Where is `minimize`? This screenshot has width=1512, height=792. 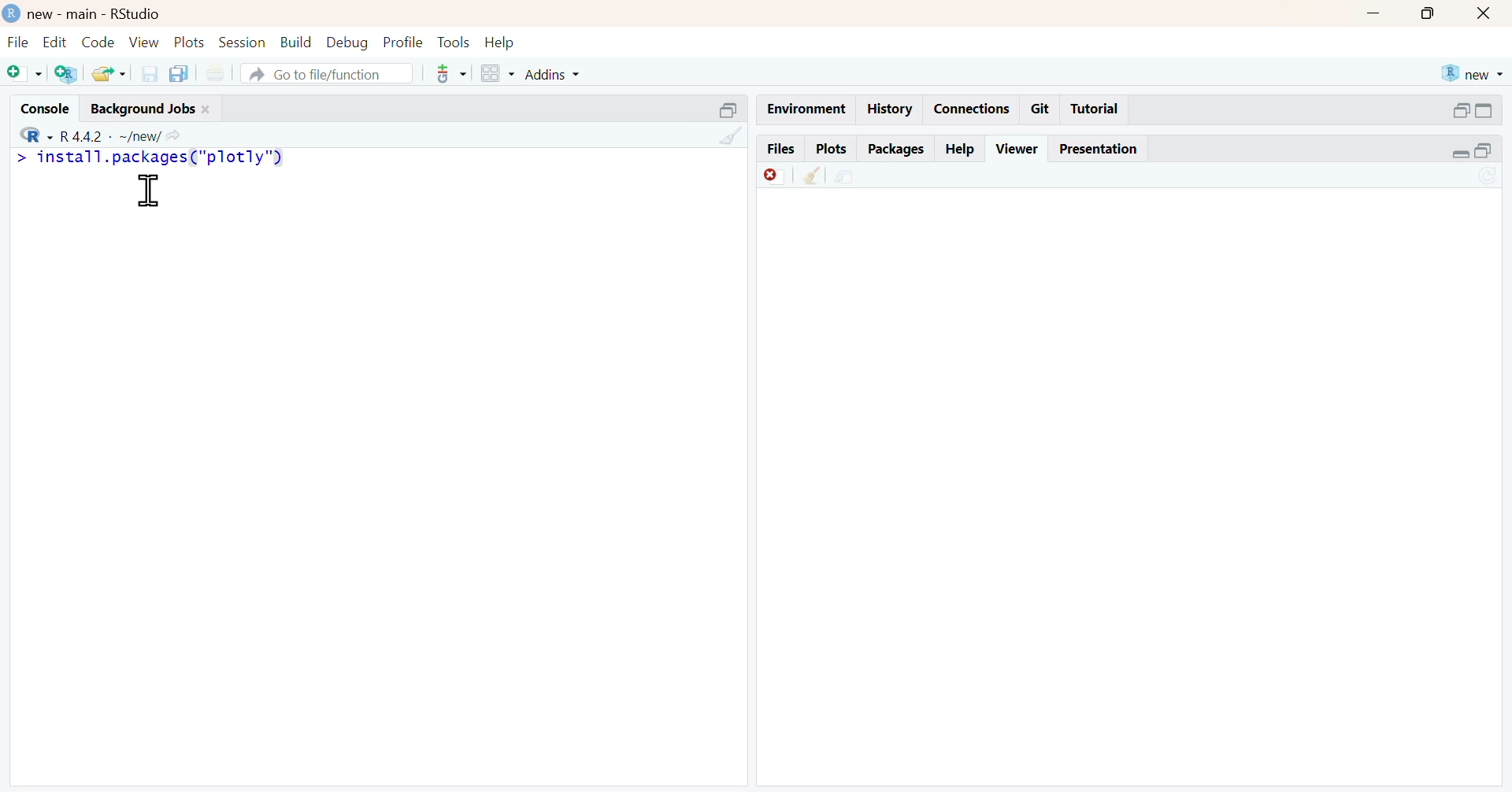
minimize is located at coordinates (1458, 155).